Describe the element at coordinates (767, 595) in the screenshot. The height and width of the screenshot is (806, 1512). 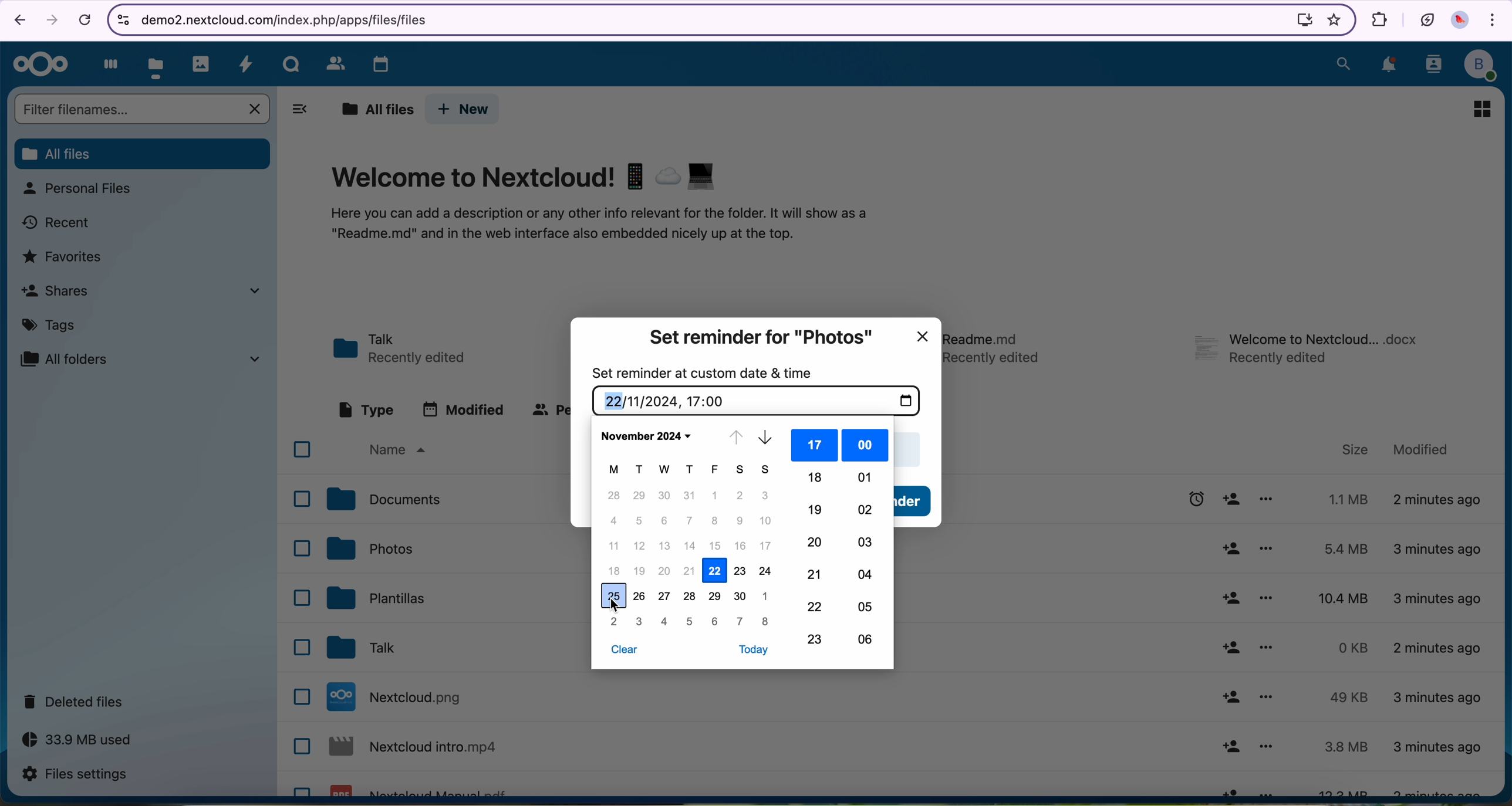
I see `1` at that location.